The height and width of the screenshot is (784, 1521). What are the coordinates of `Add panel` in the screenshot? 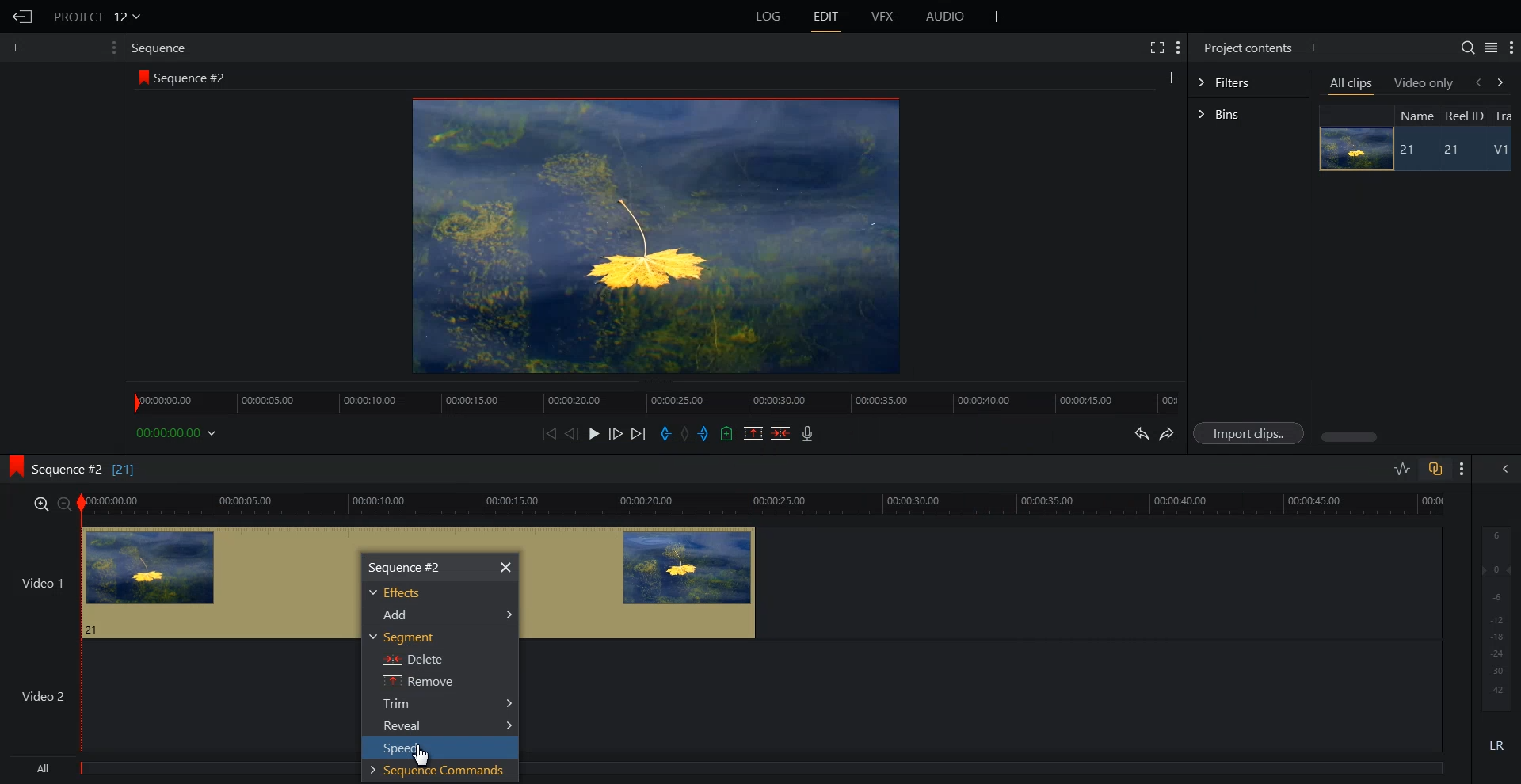 It's located at (1313, 48).